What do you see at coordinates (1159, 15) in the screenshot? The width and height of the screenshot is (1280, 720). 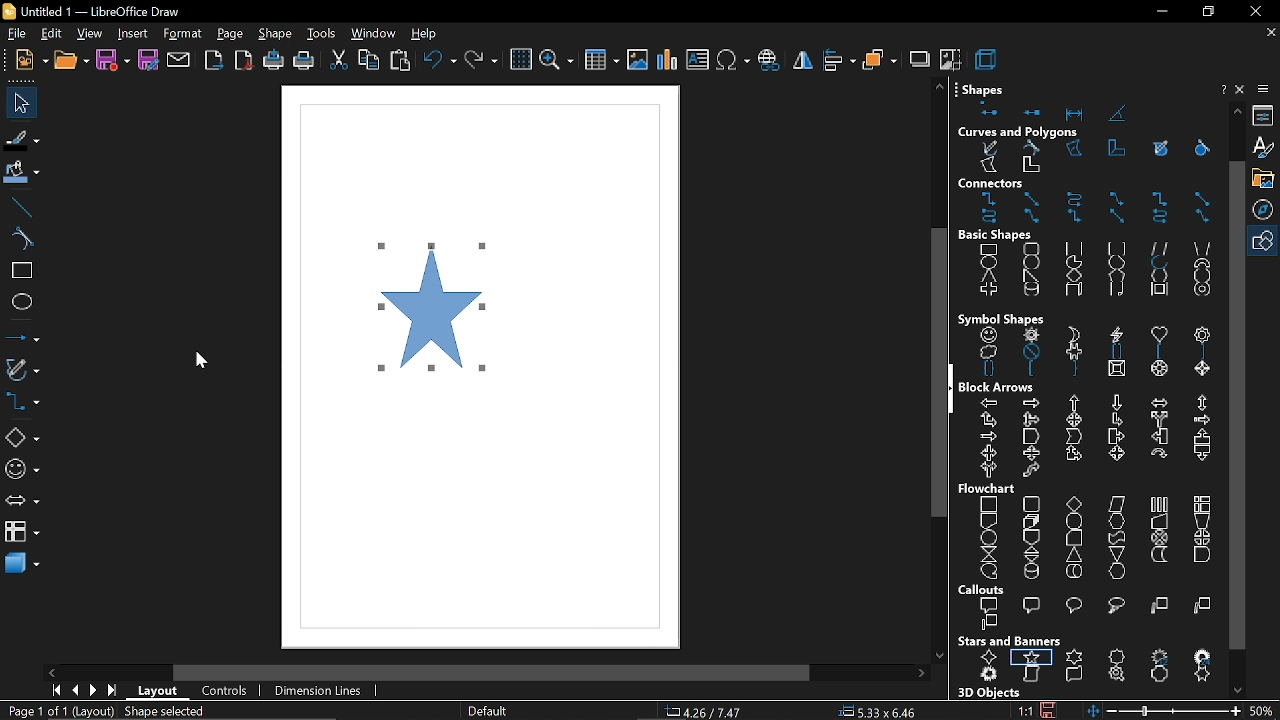 I see `minimize` at bounding box center [1159, 15].